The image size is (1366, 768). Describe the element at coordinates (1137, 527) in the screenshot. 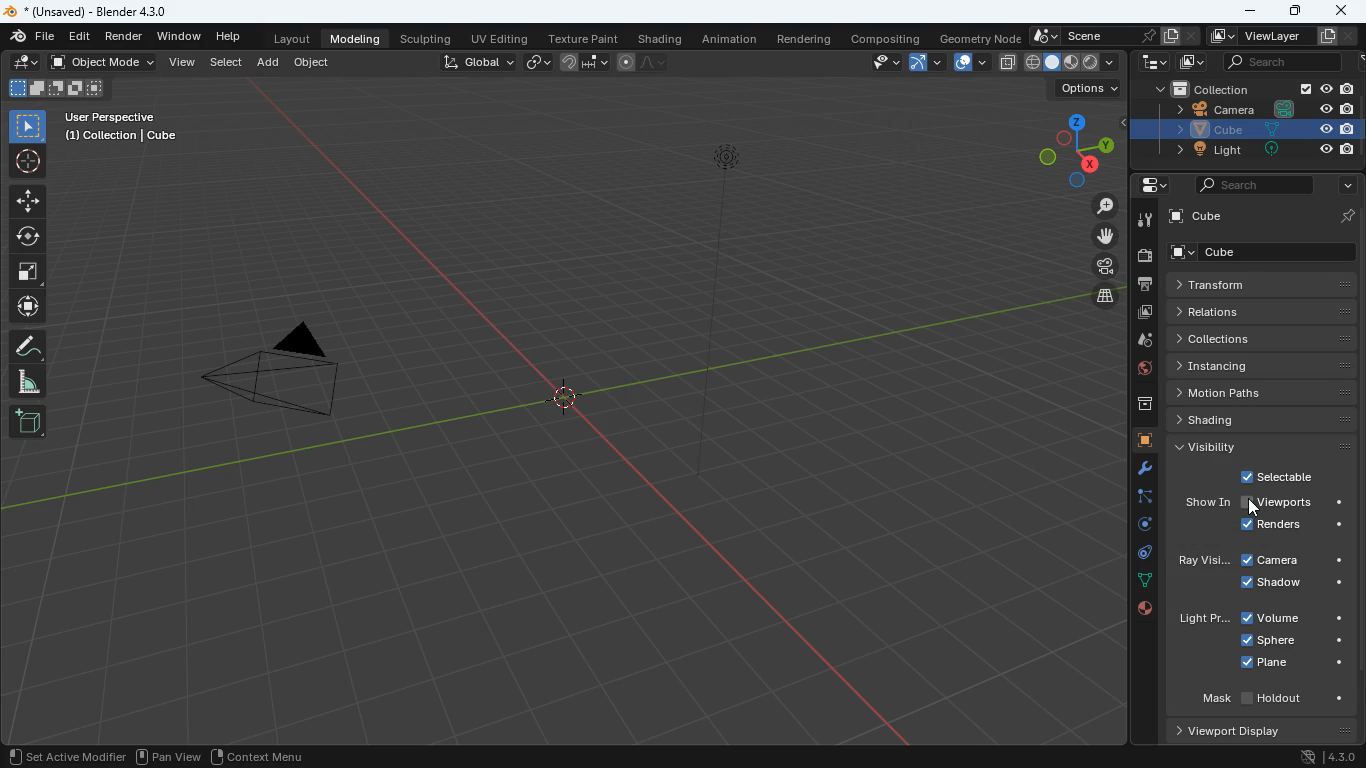

I see `turn` at that location.